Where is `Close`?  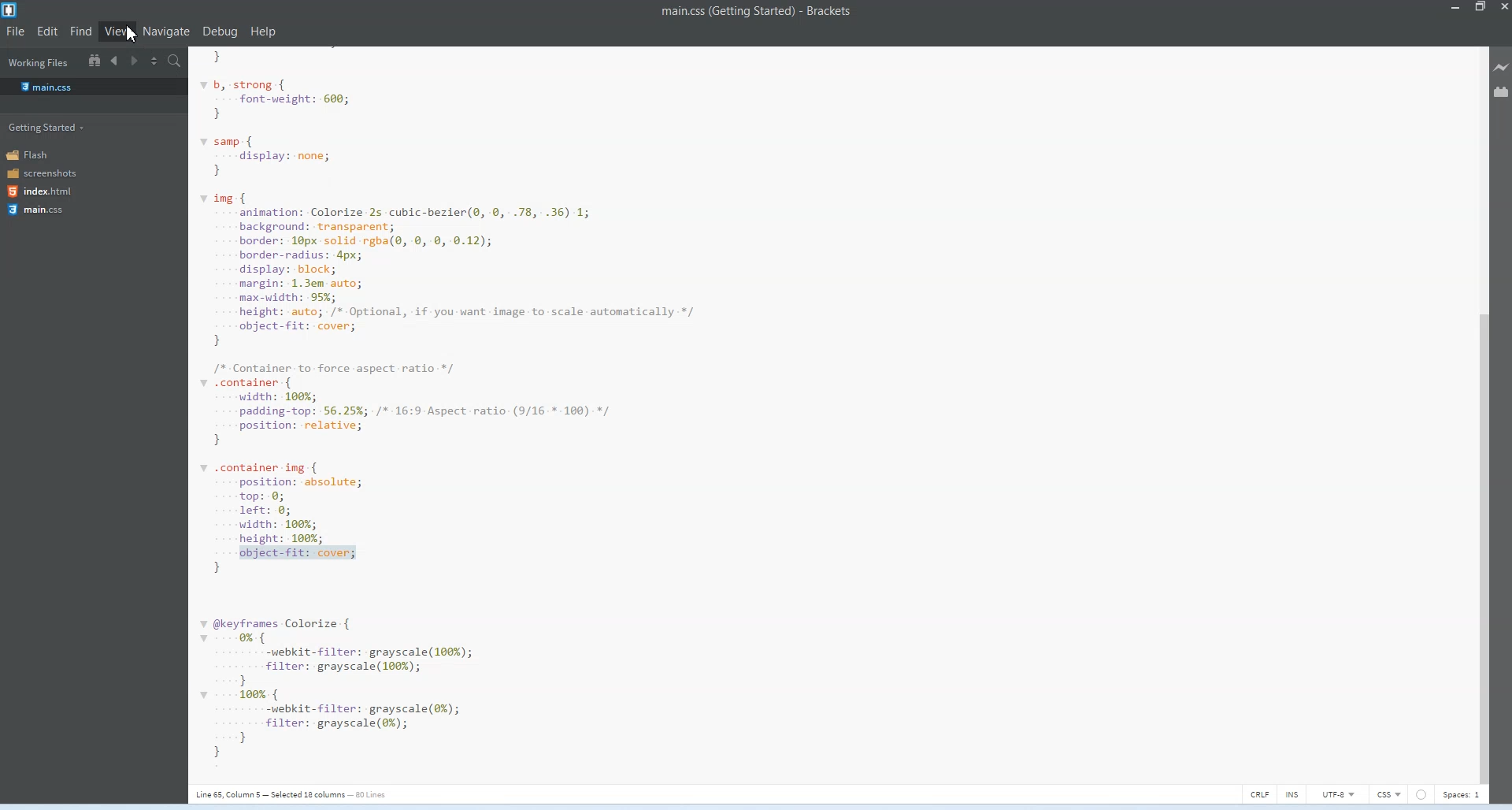 Close is located at coordinates (1503, 9).